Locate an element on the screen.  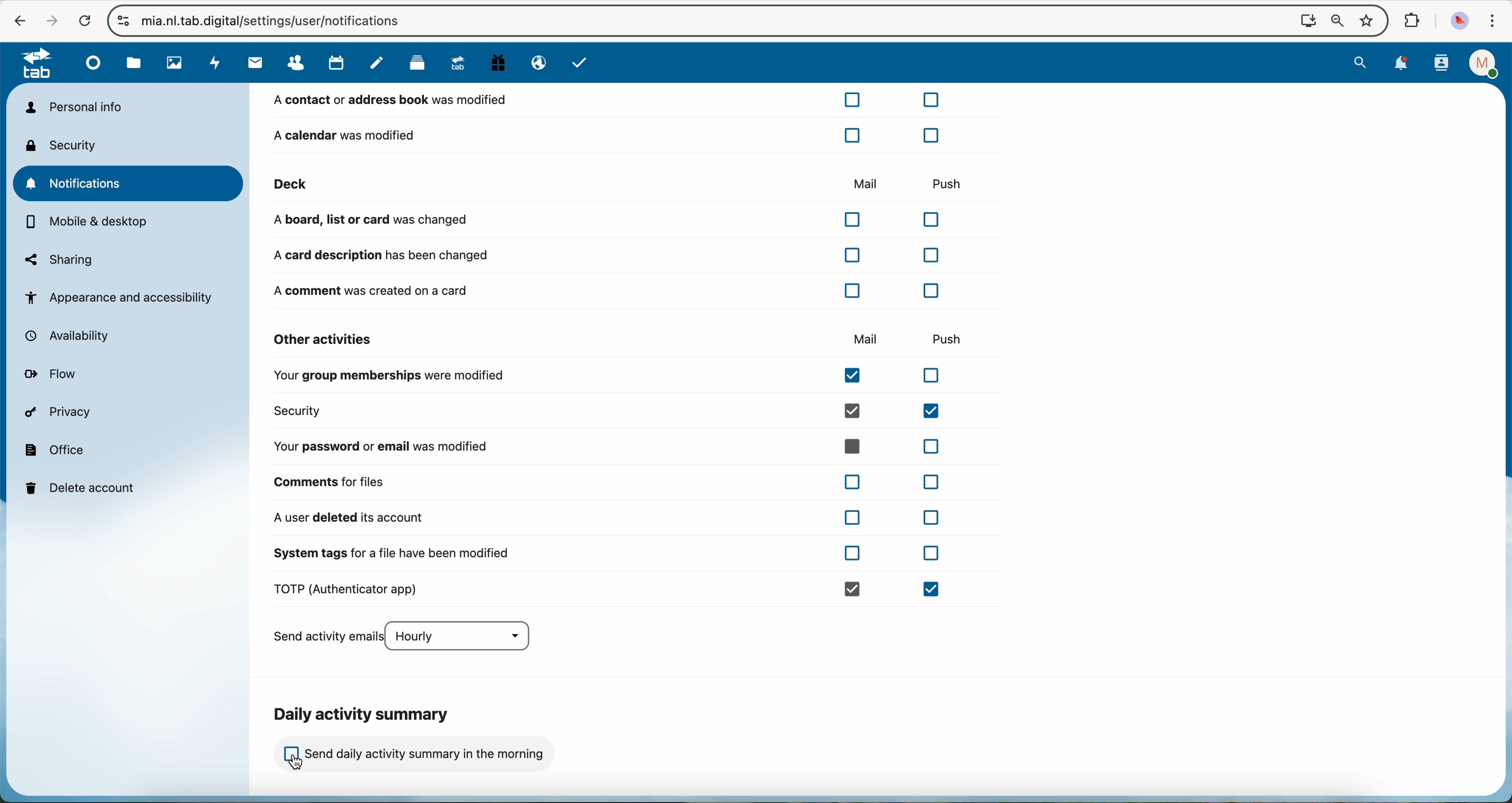
personal info is located at coordinates (73, 107).